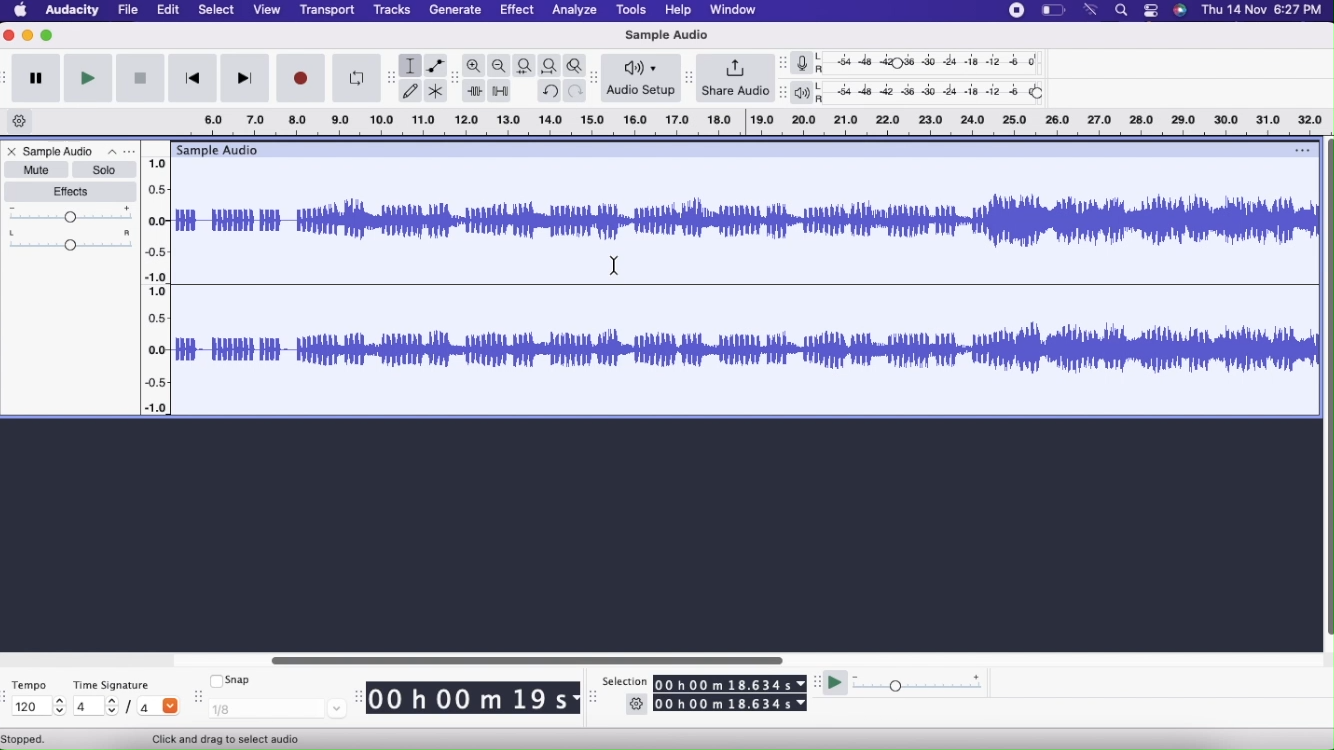 The image size is (1334, 750). Describe the element at coordinates (807, 62) in the screenshot. I see `Record meter` at that location.